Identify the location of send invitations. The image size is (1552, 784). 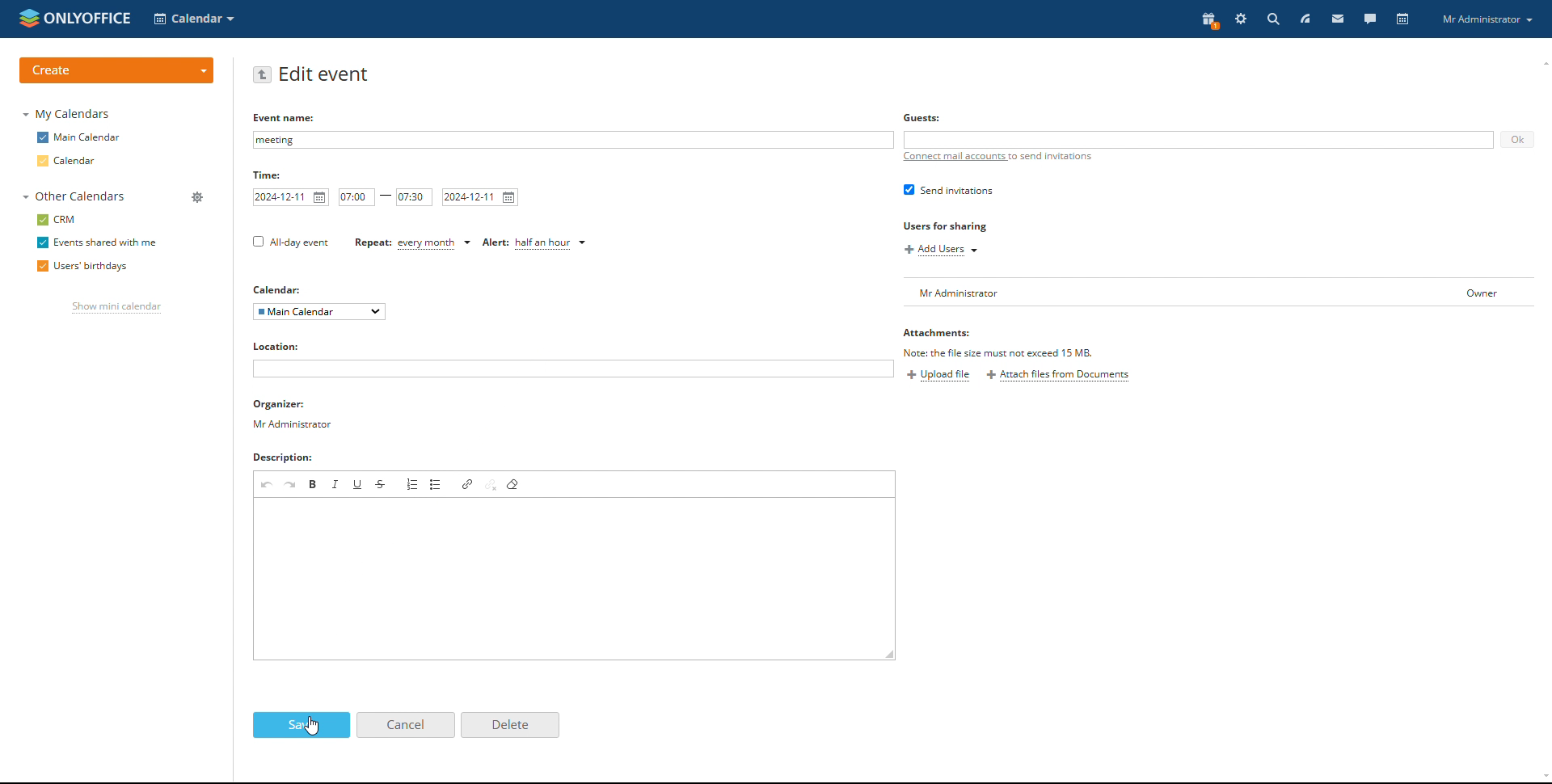
(947, 191).